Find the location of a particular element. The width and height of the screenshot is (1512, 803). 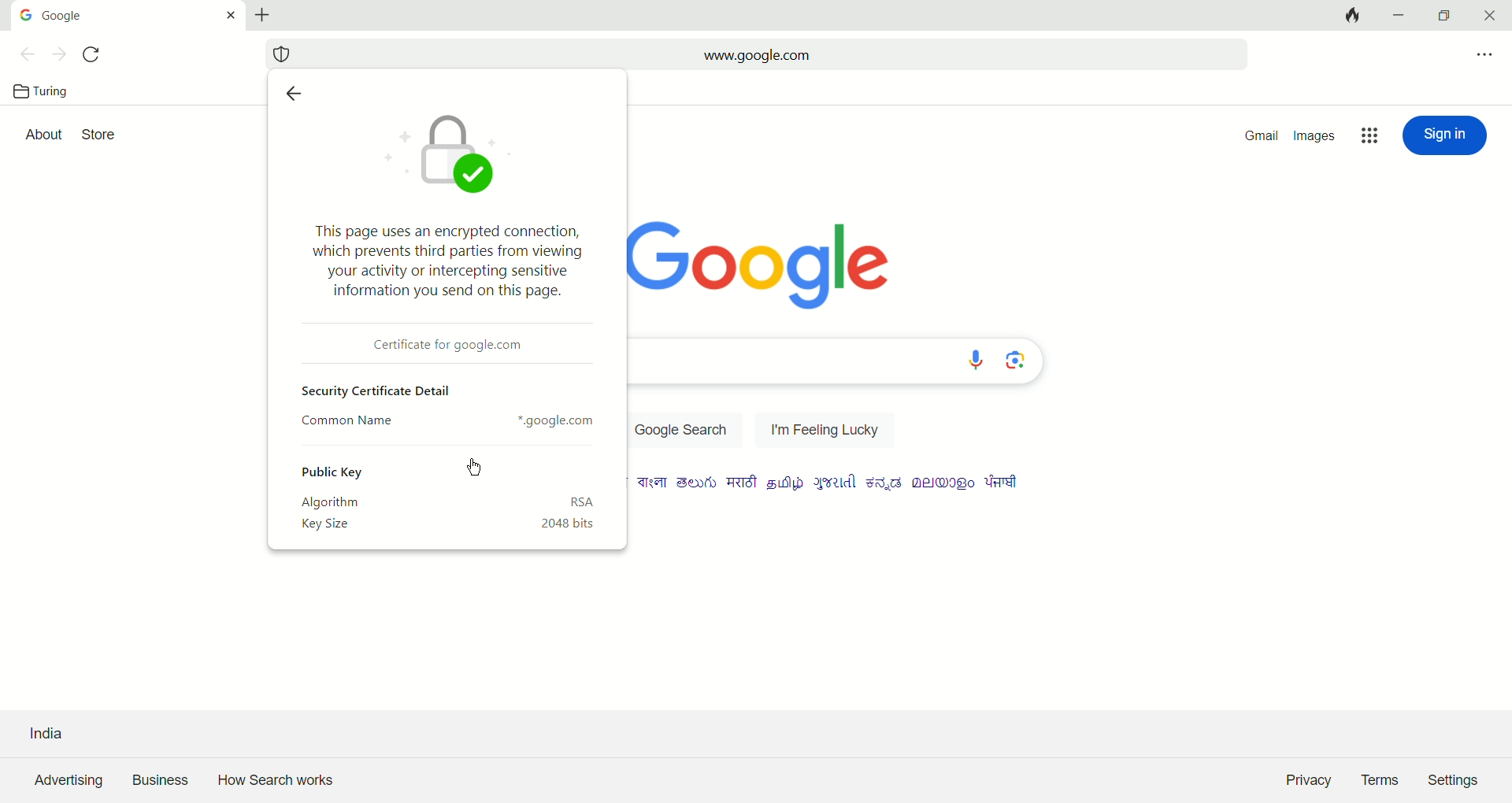

Privacy is located at coordinates (1306, 782).